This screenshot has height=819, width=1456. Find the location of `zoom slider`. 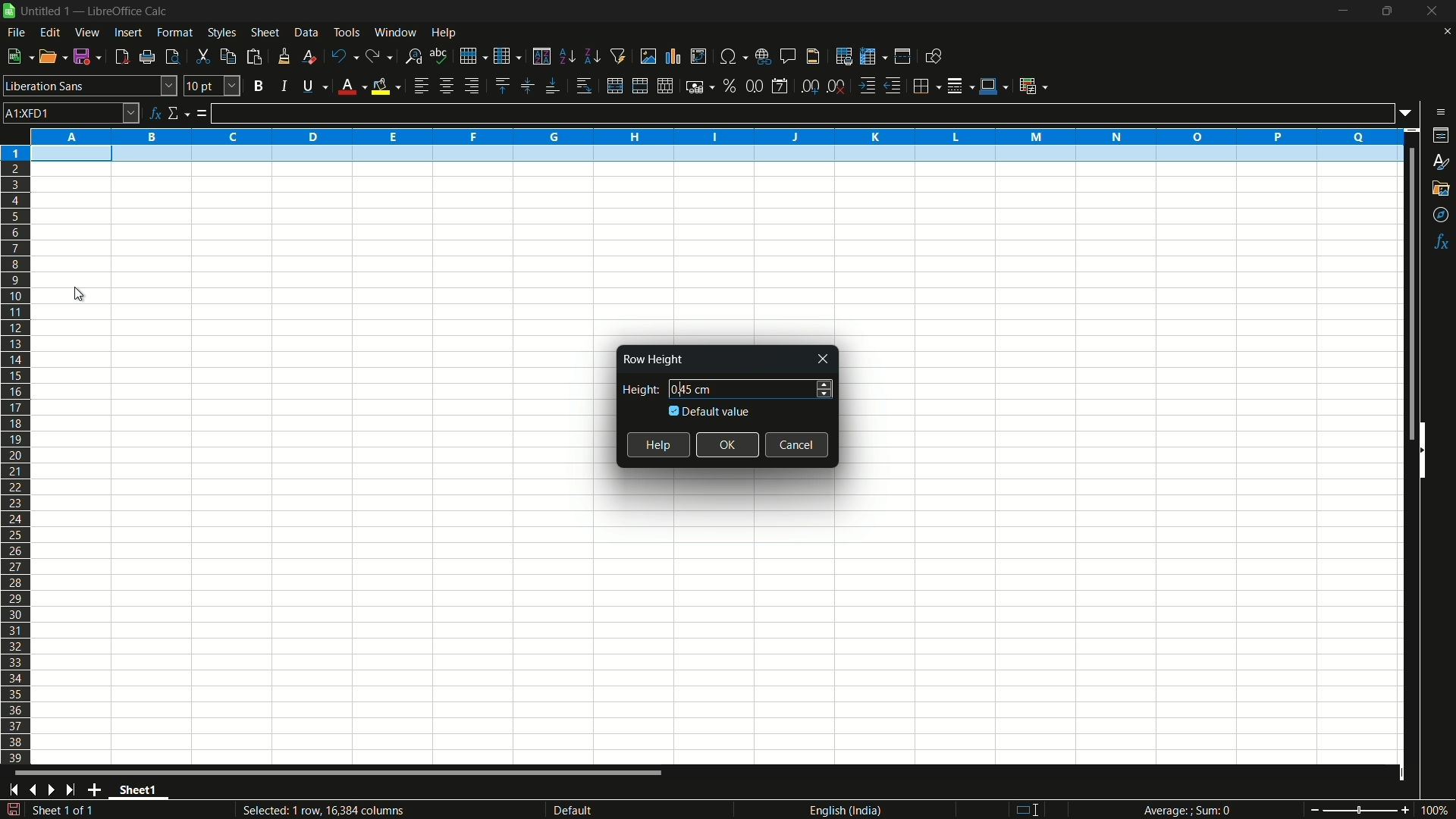

zoom slider is located at coordinates (1359, 809).